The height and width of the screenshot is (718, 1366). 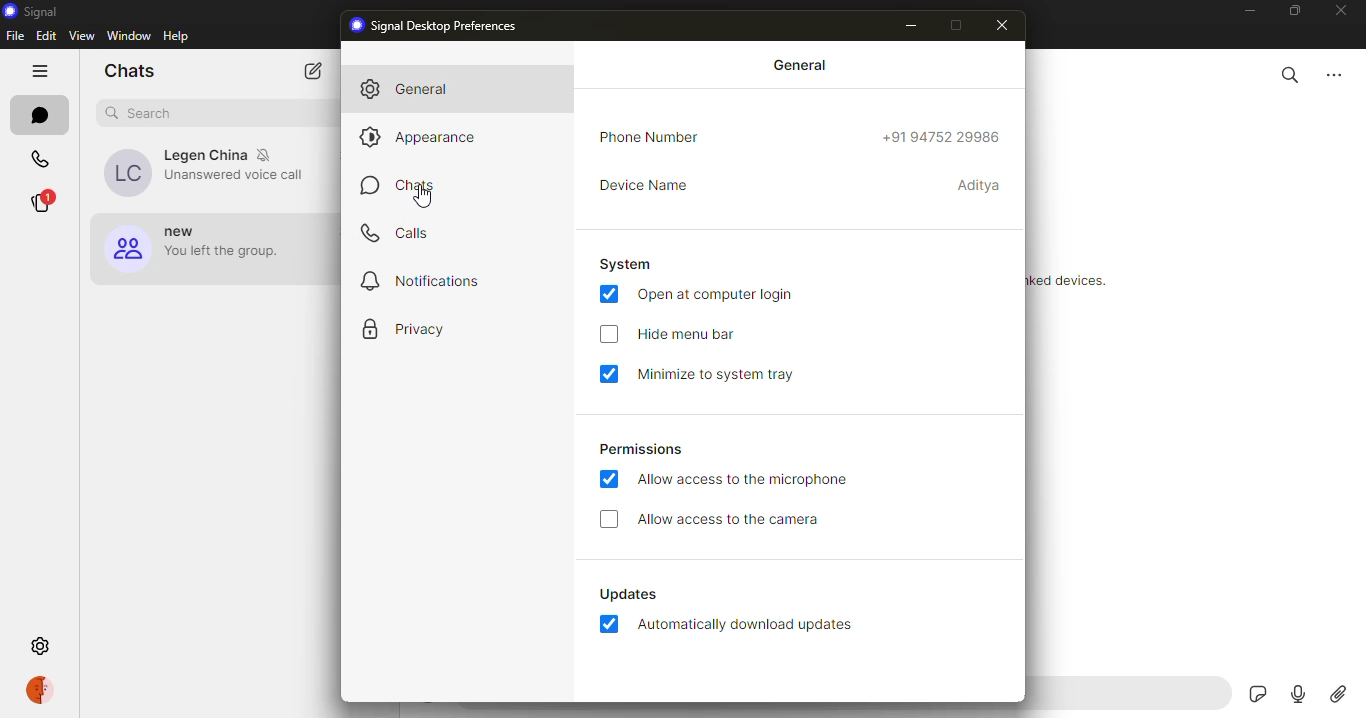 What do you see at coordinates (607, 520) in the screenshot?
I see `enable` at bounding box center [607, 520].